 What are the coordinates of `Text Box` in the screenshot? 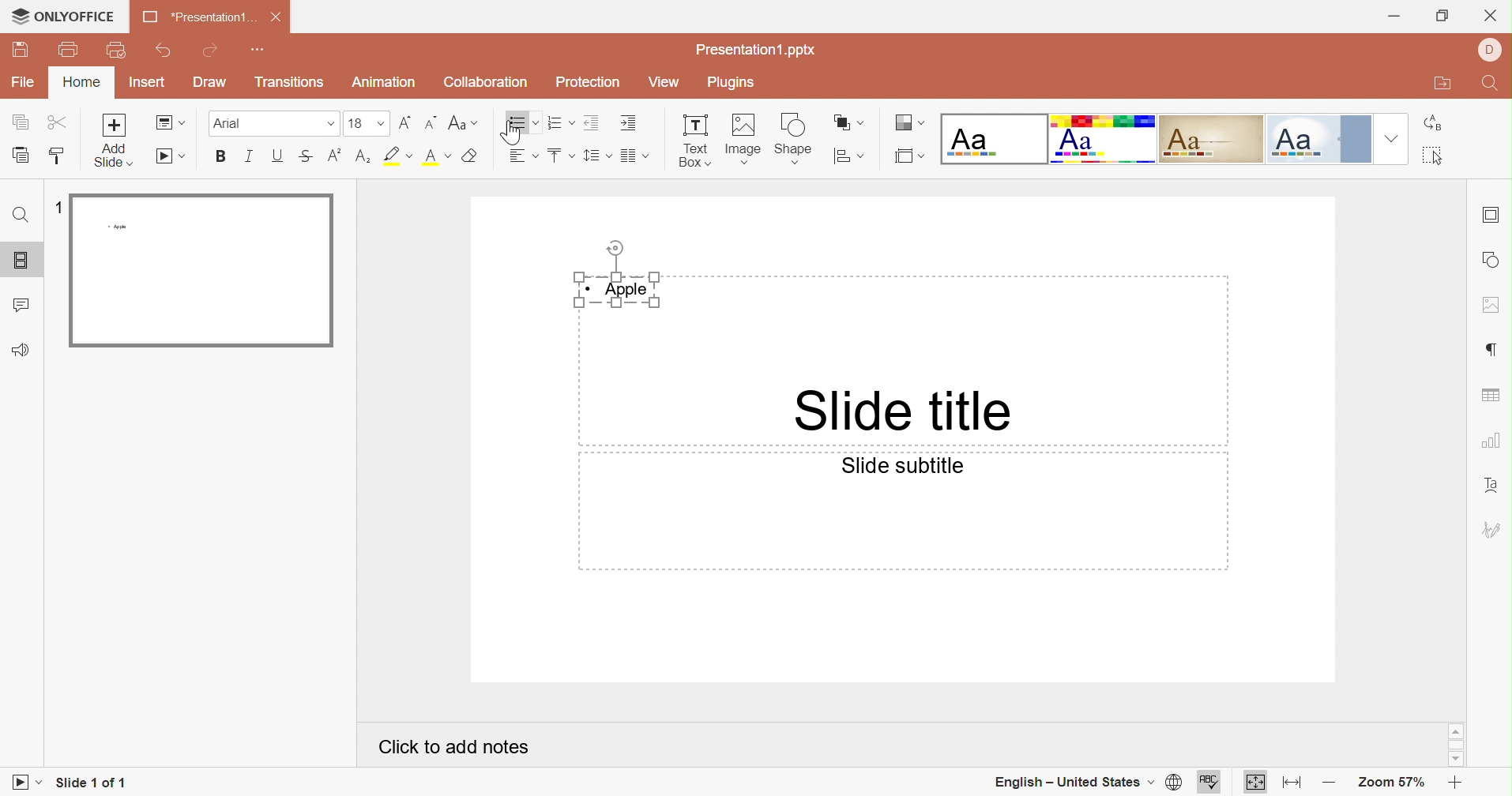 It's located at (690, 142).